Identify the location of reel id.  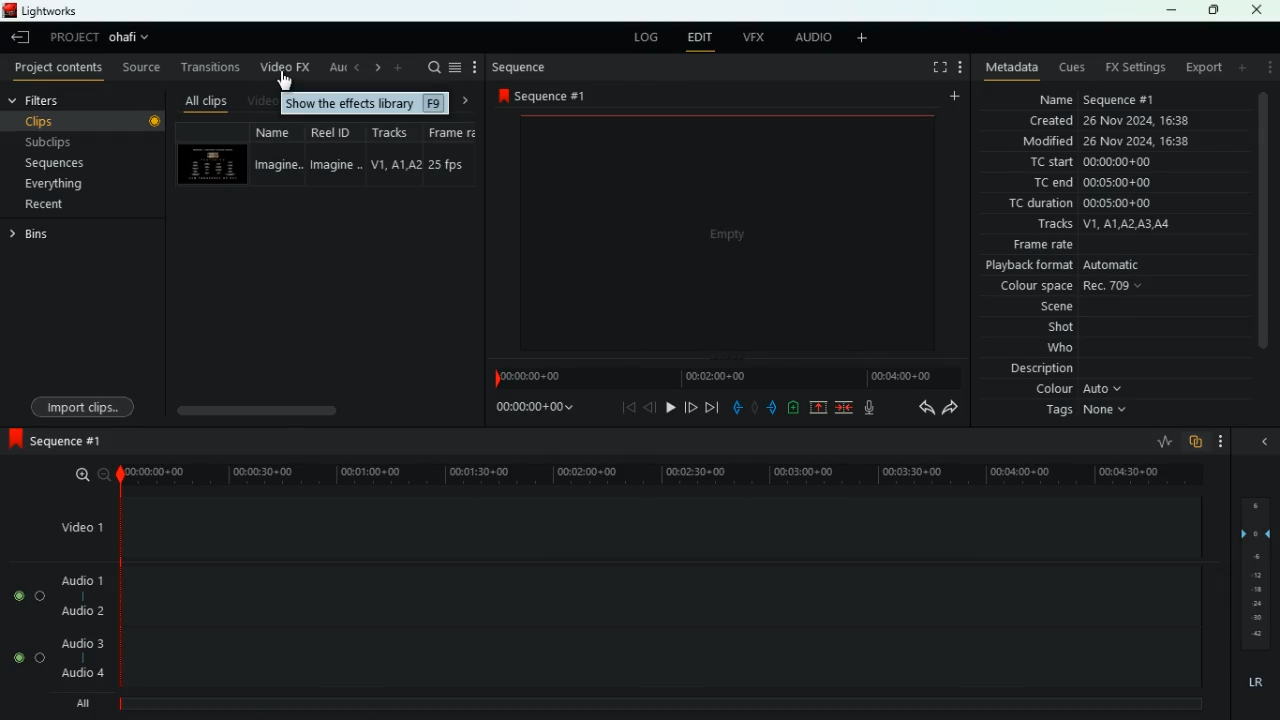
(337, 153).